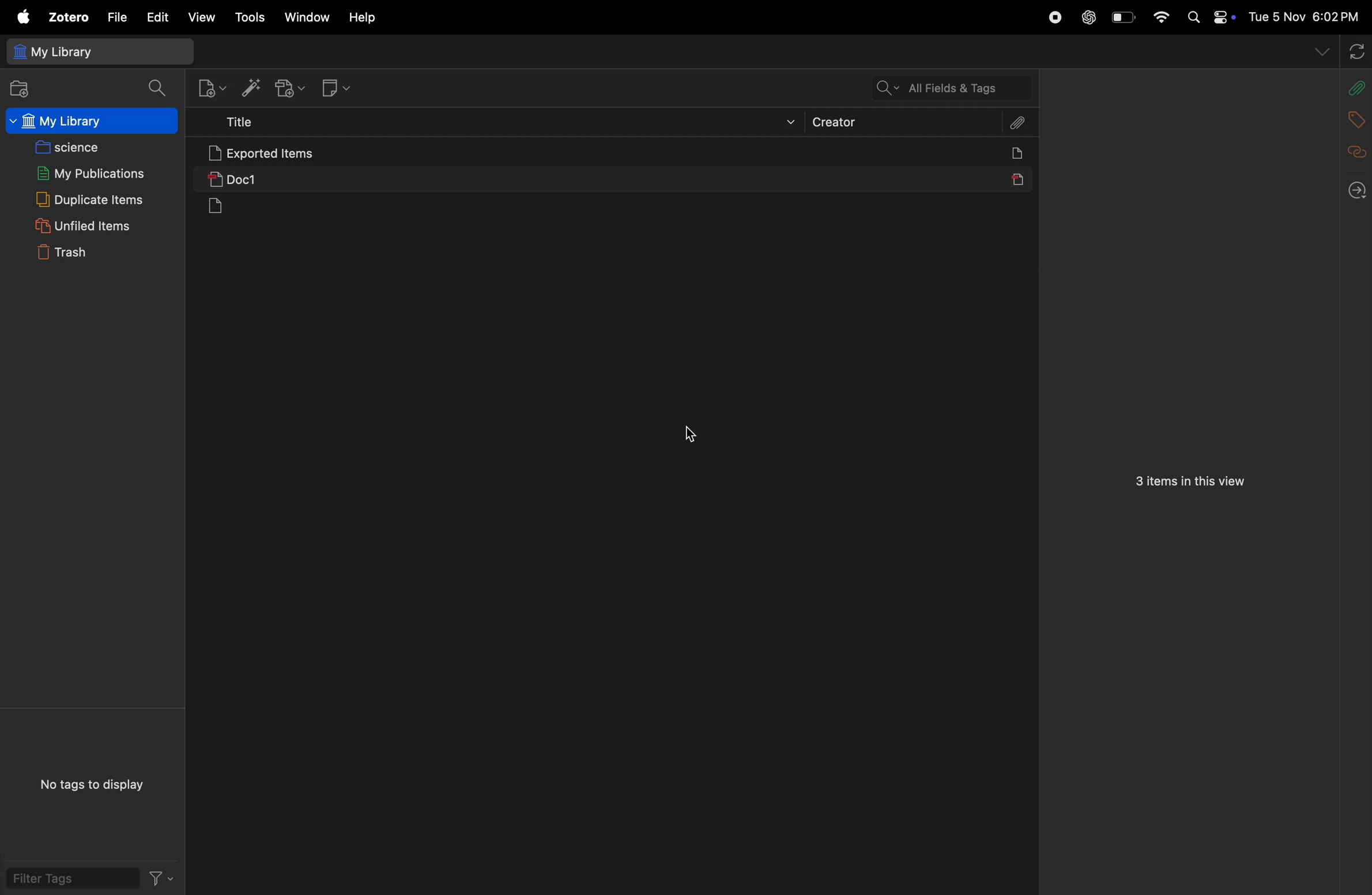 This screenshot has height=895, width=1372. What do you see at coordinates (1086, 17) in the screenshot?
I see `chatgpt` at bounding box center [1086, 17].